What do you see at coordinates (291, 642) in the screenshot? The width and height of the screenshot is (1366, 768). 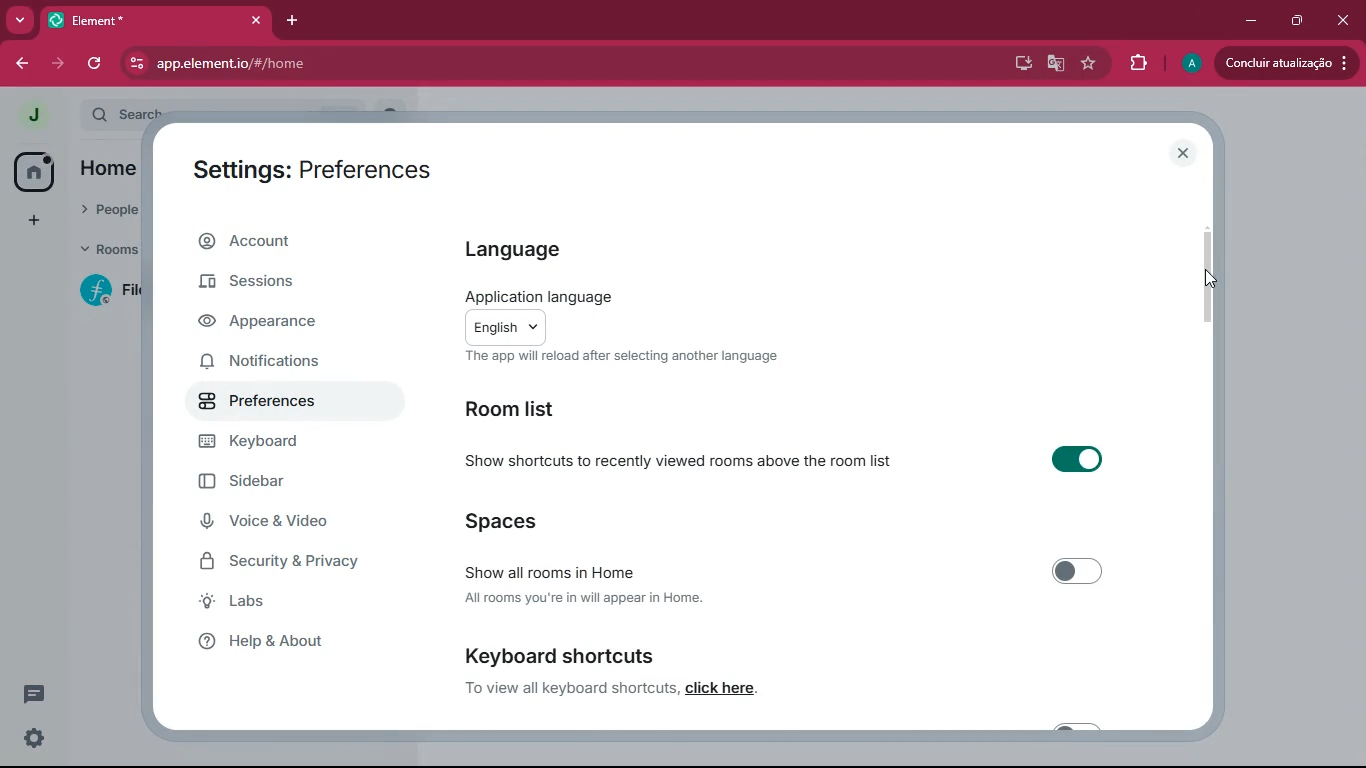 I see `help` at bounding box center [291, 642].